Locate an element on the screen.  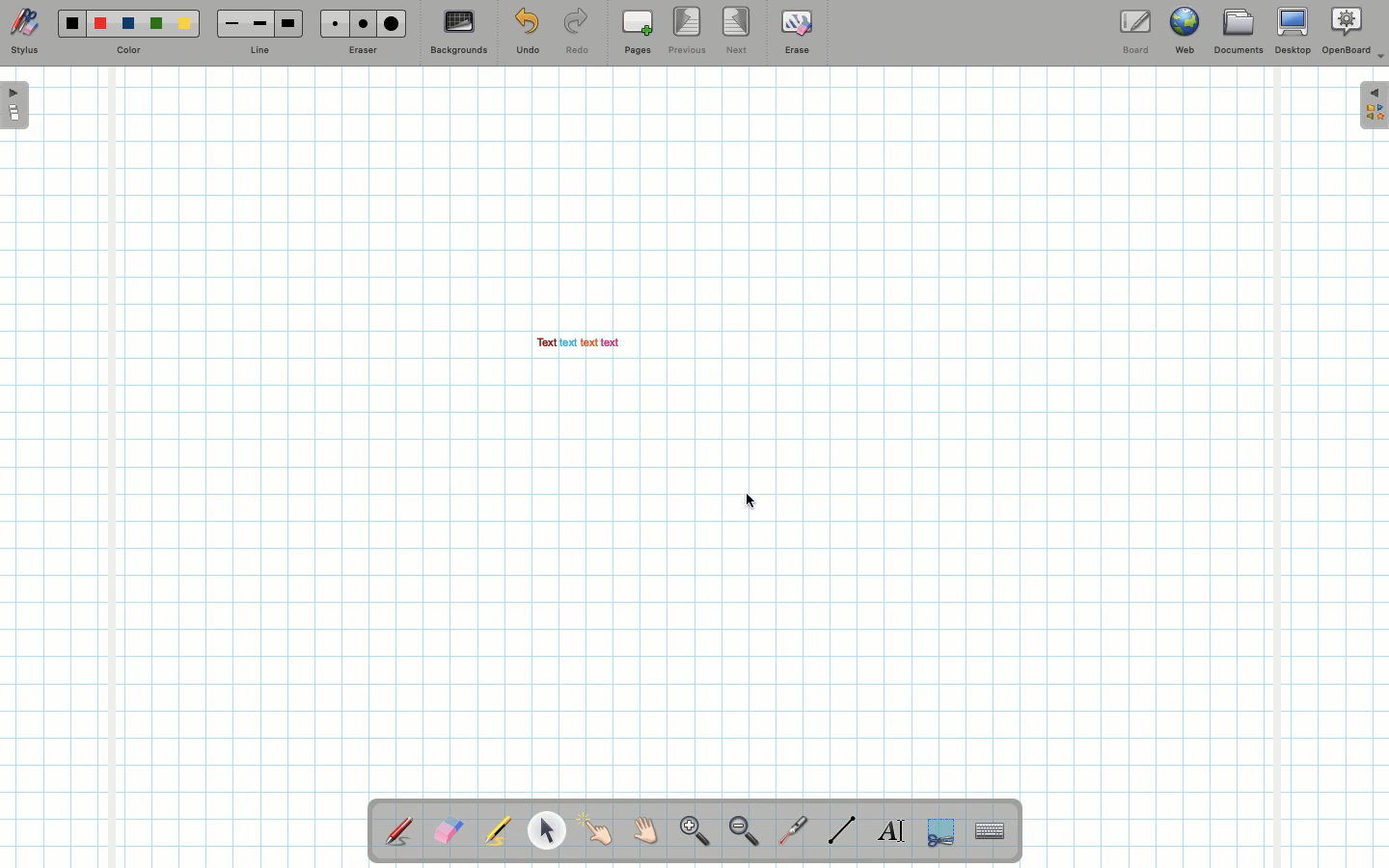
Stylus is located at coordinates (400, 830).